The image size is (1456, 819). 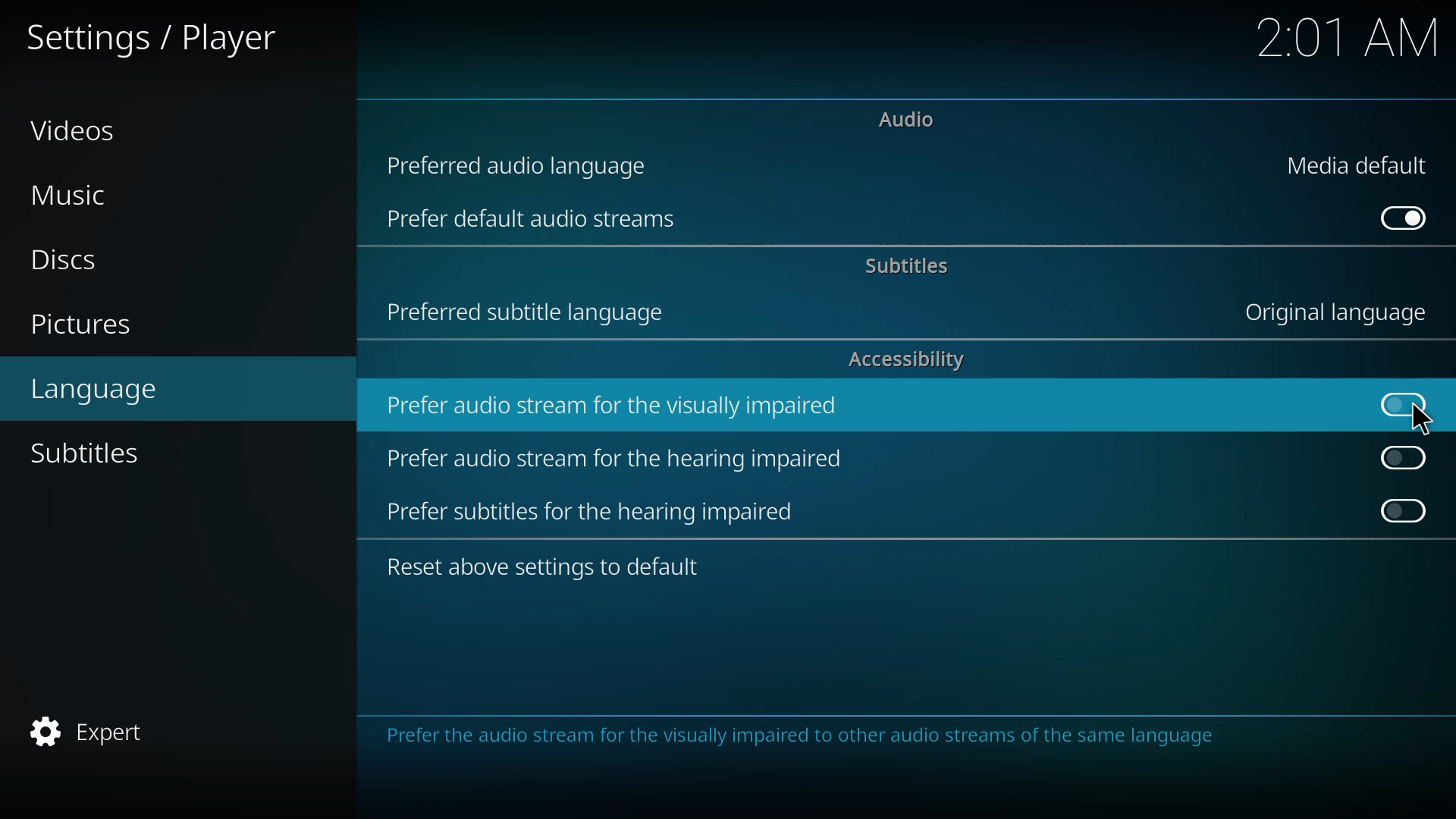 What do you see at coordinates (89, 454) in the screenshot?
I see `subtitles` at bounding box center [89, 454].